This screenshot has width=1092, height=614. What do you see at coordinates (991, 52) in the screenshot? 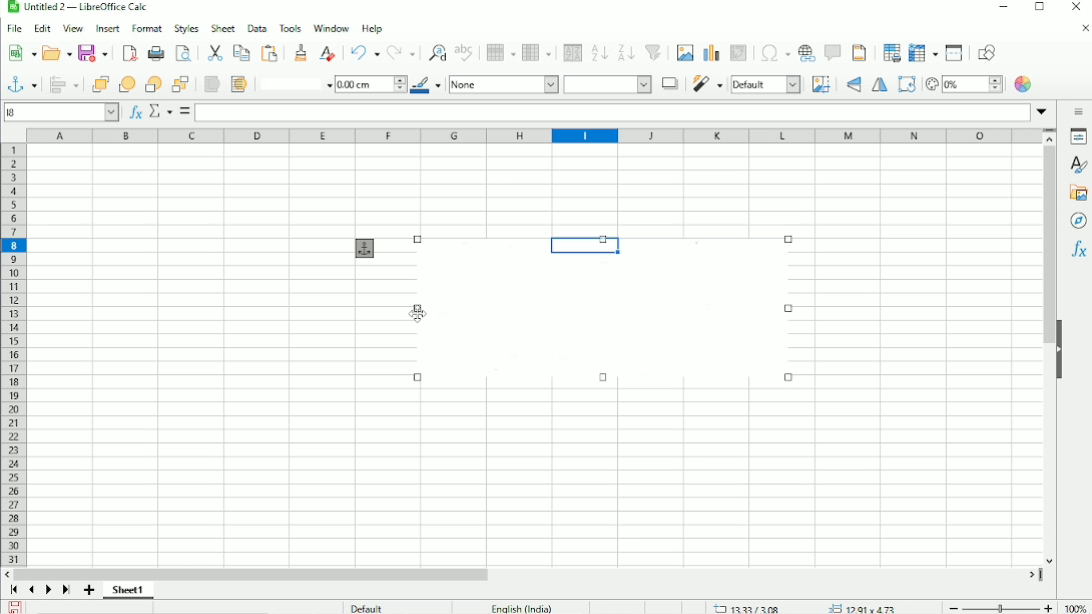
I see `Show Draw functions ` at bounding box center [991, 52].